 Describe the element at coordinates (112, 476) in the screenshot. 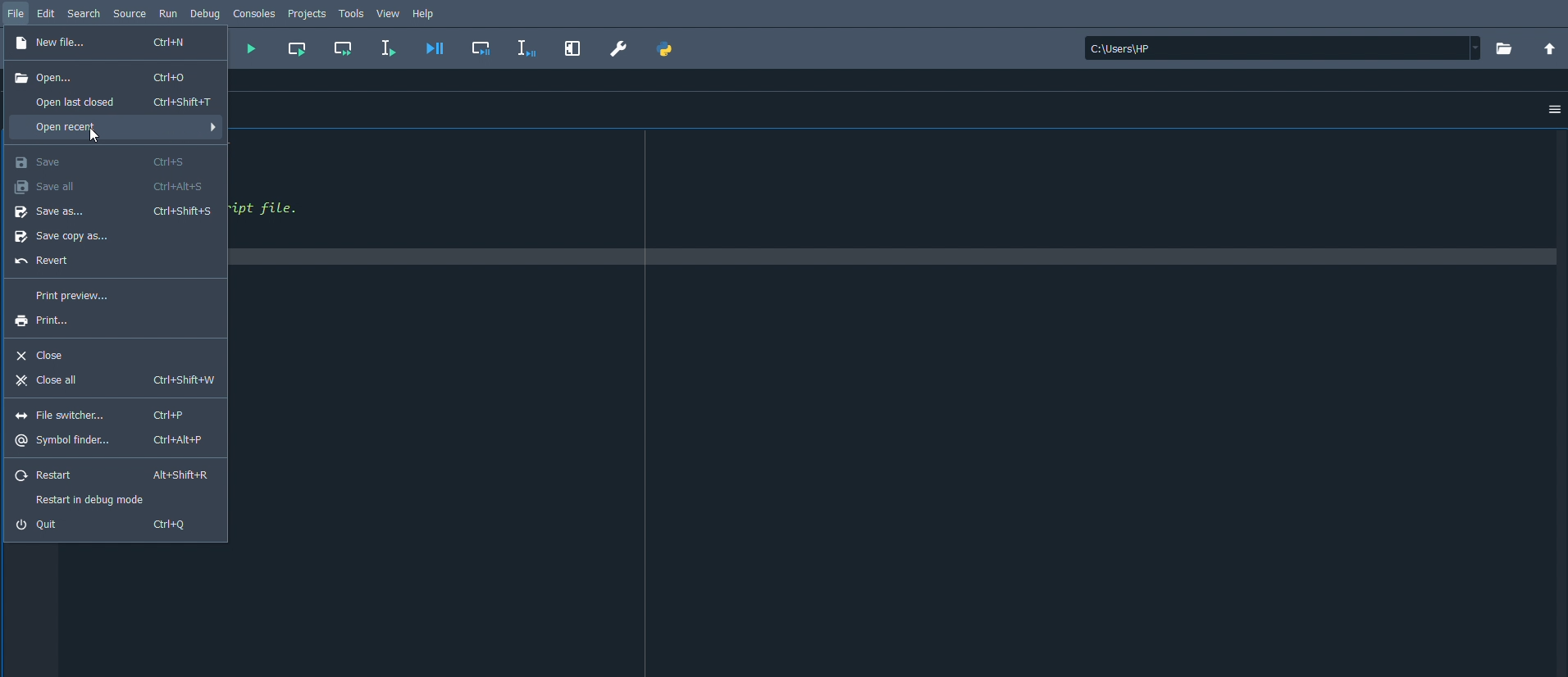

I see `Restart` at that location.